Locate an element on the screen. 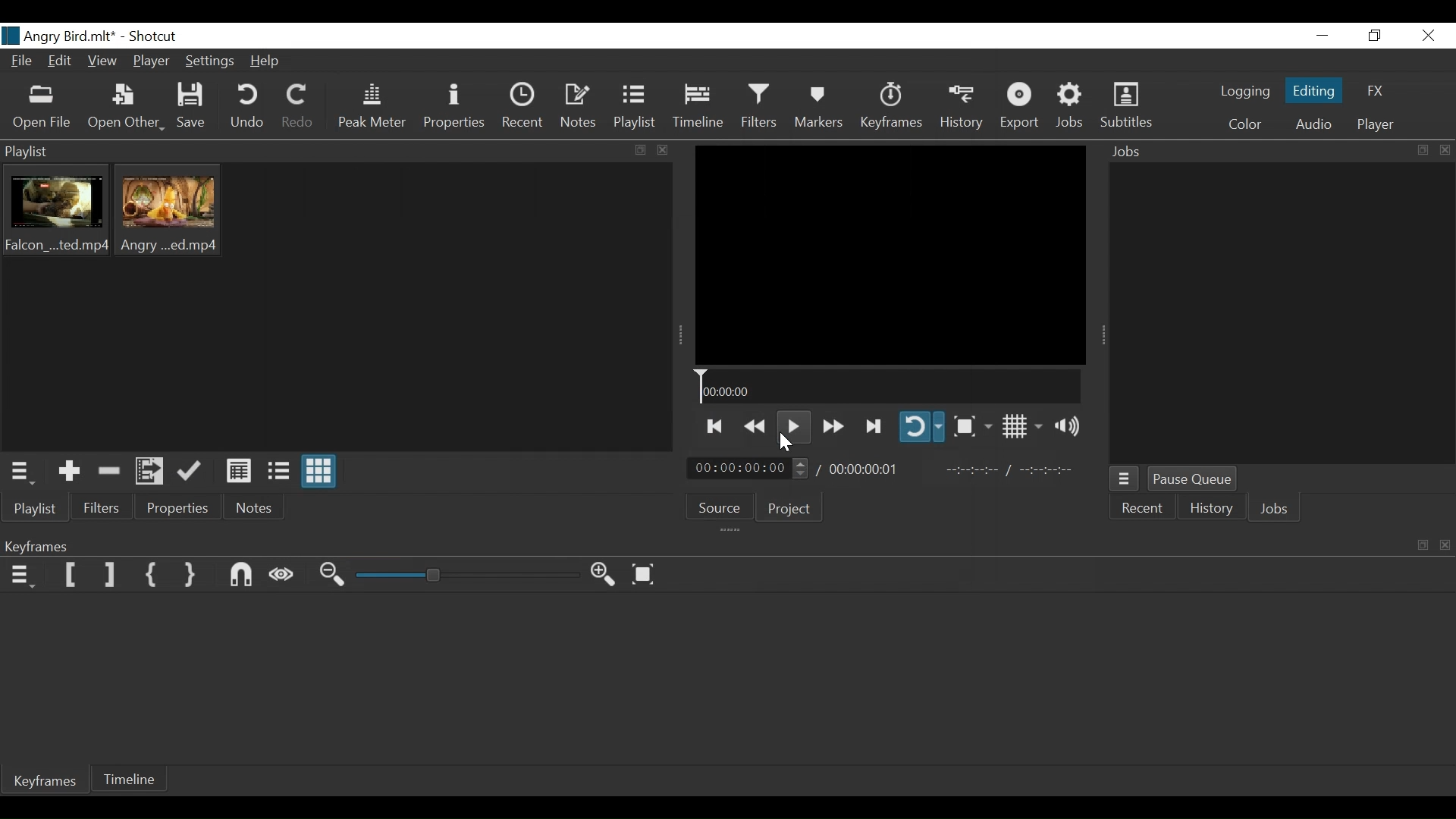 The width and height of the screenshot is (1456, 819). Restore is located at coordinates (1376, 36).